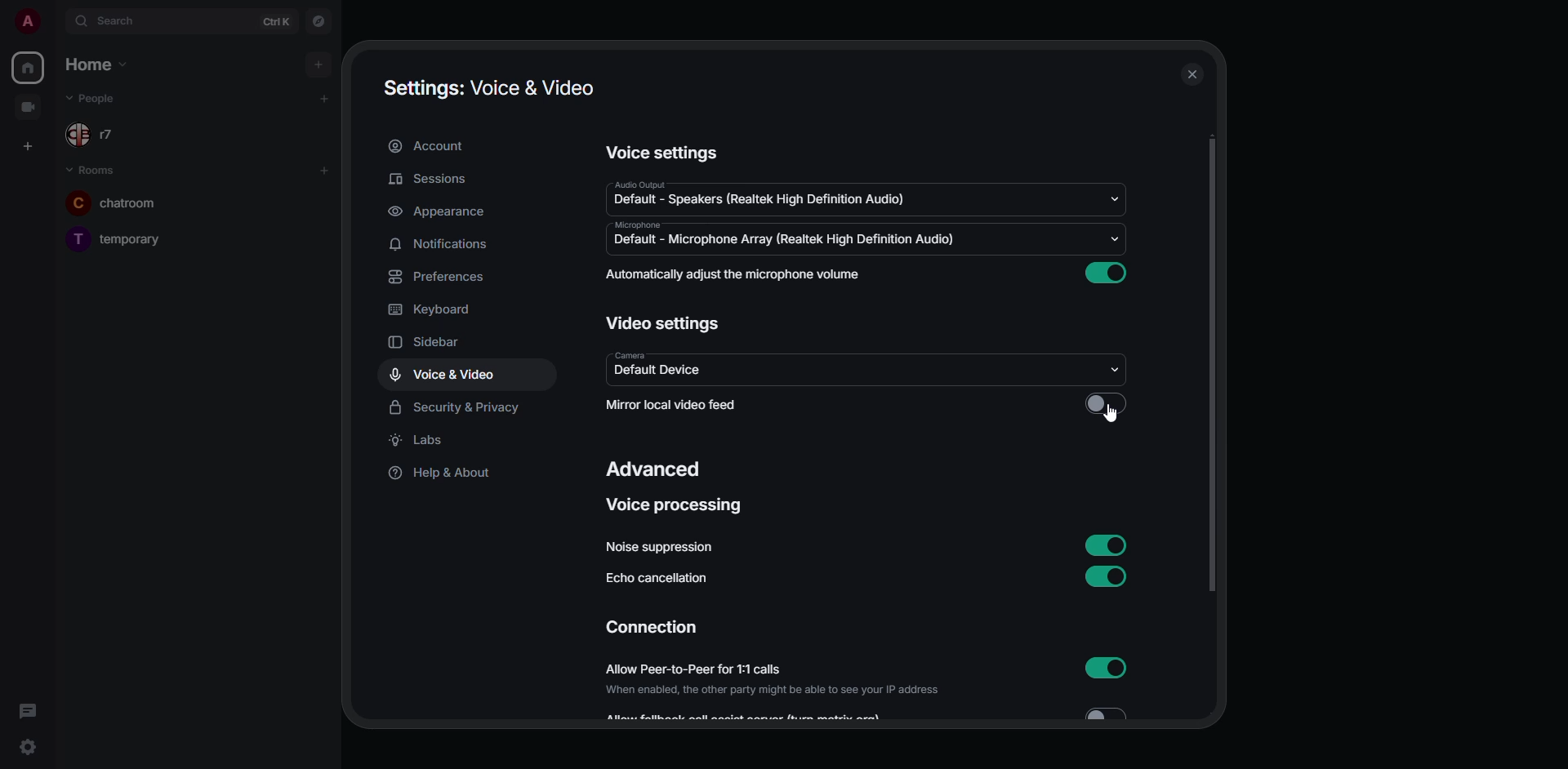 The height and width of the screenshot is (769, 1568). I want to click on chatroom, so click(129, 201).